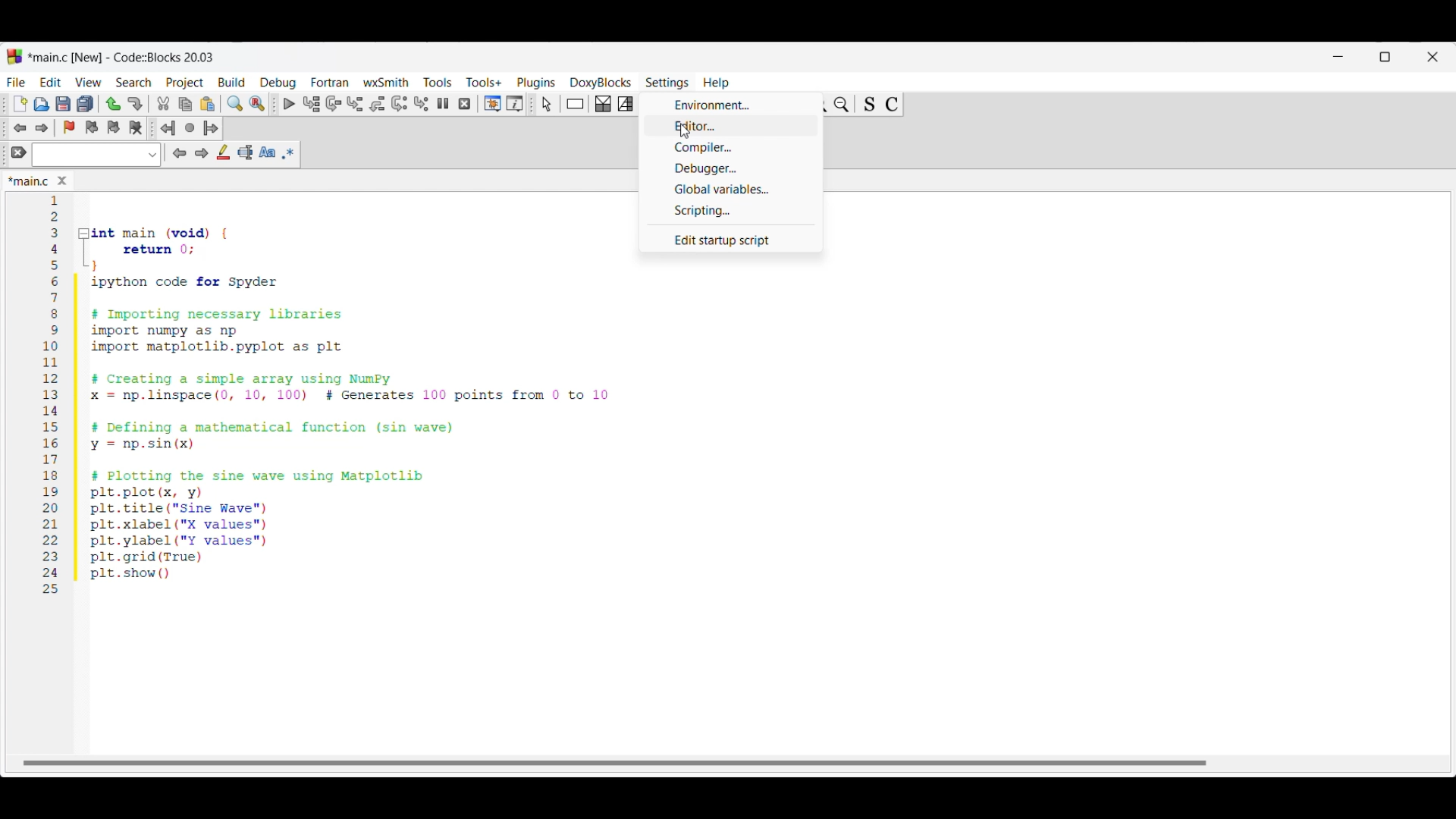 The height and width of the screenshot is (819, 1456). I want to click on Save everything, so click(85, 103).